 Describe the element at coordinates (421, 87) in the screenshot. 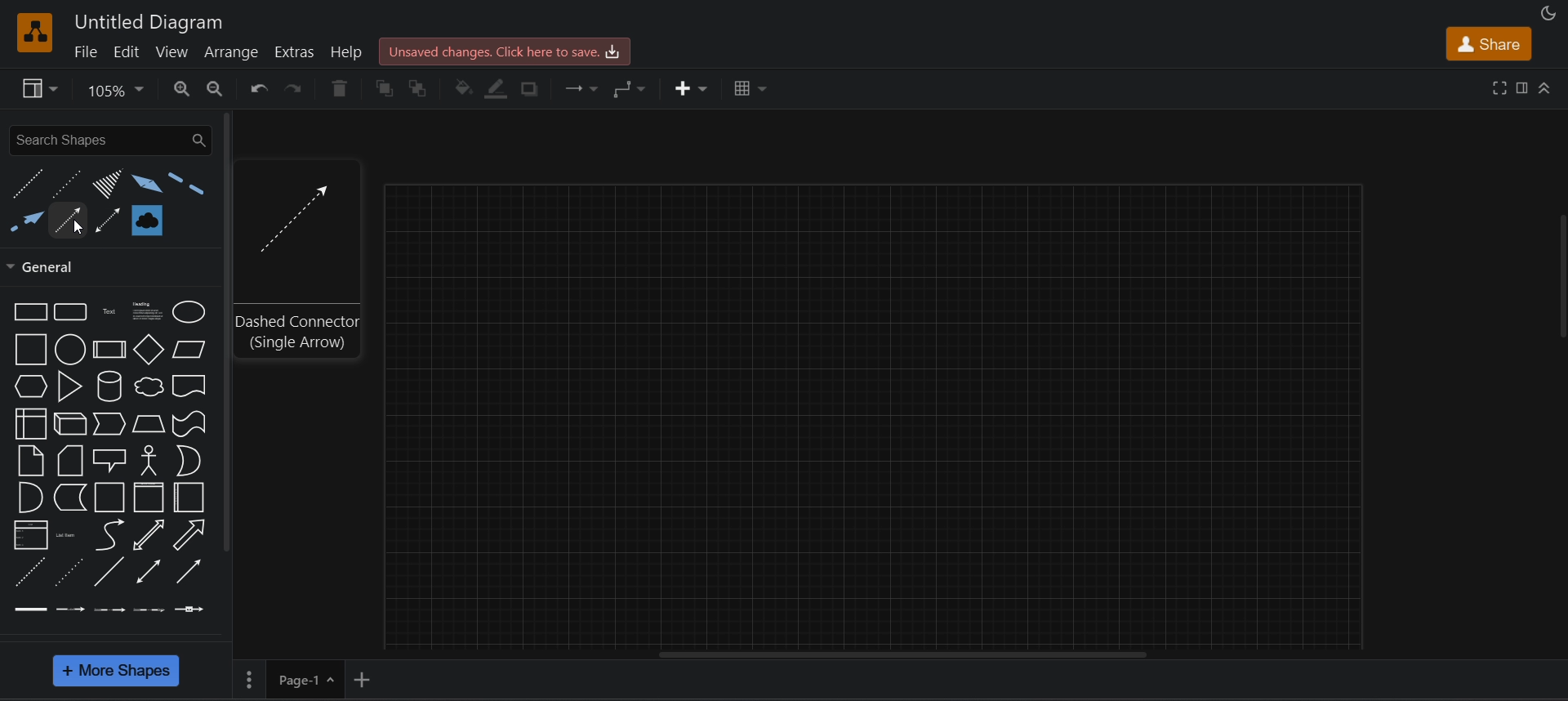

I see `to front` at that location.